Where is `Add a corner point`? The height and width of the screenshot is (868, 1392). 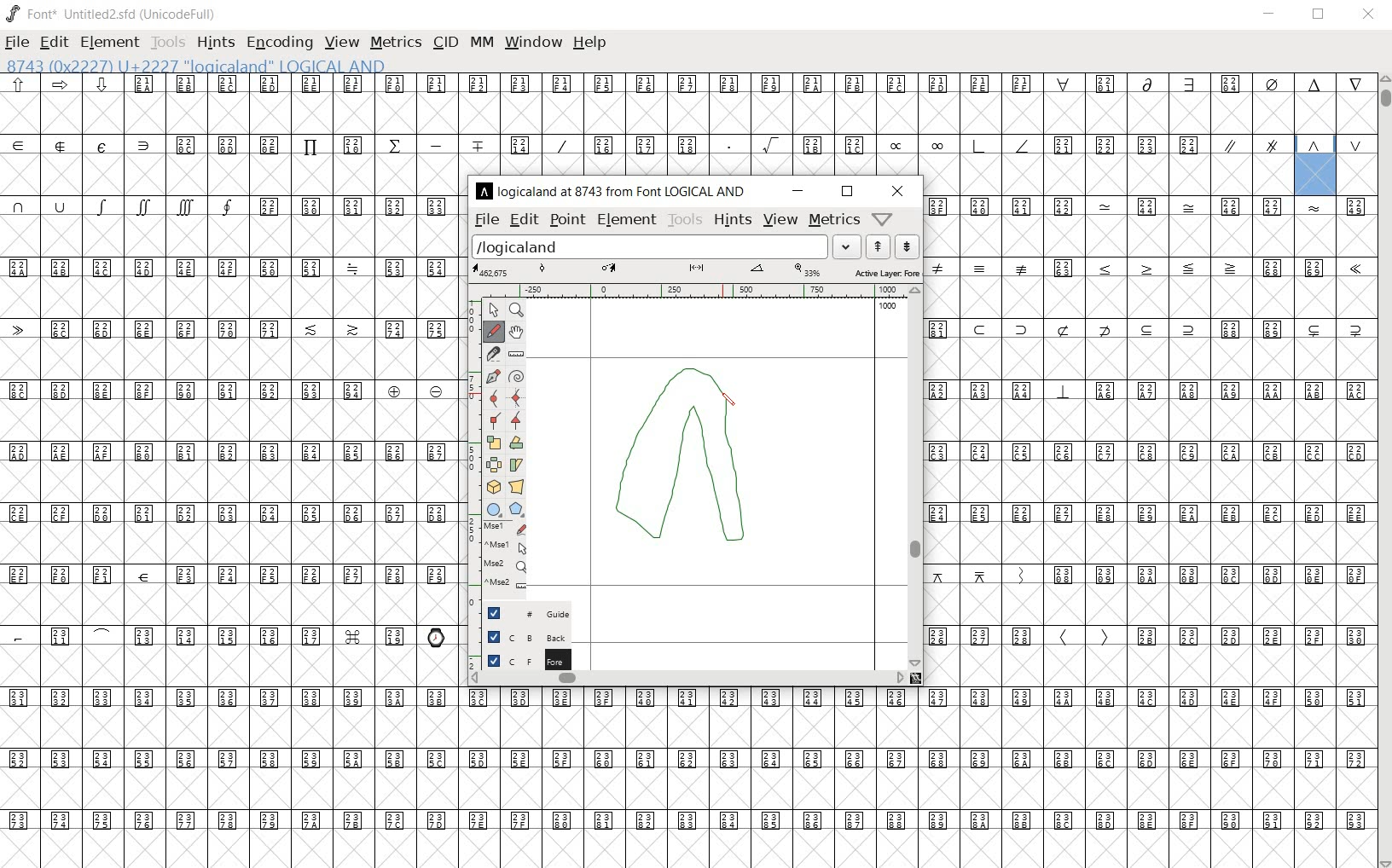 Add a corner point is located at coordinates (493, 420).